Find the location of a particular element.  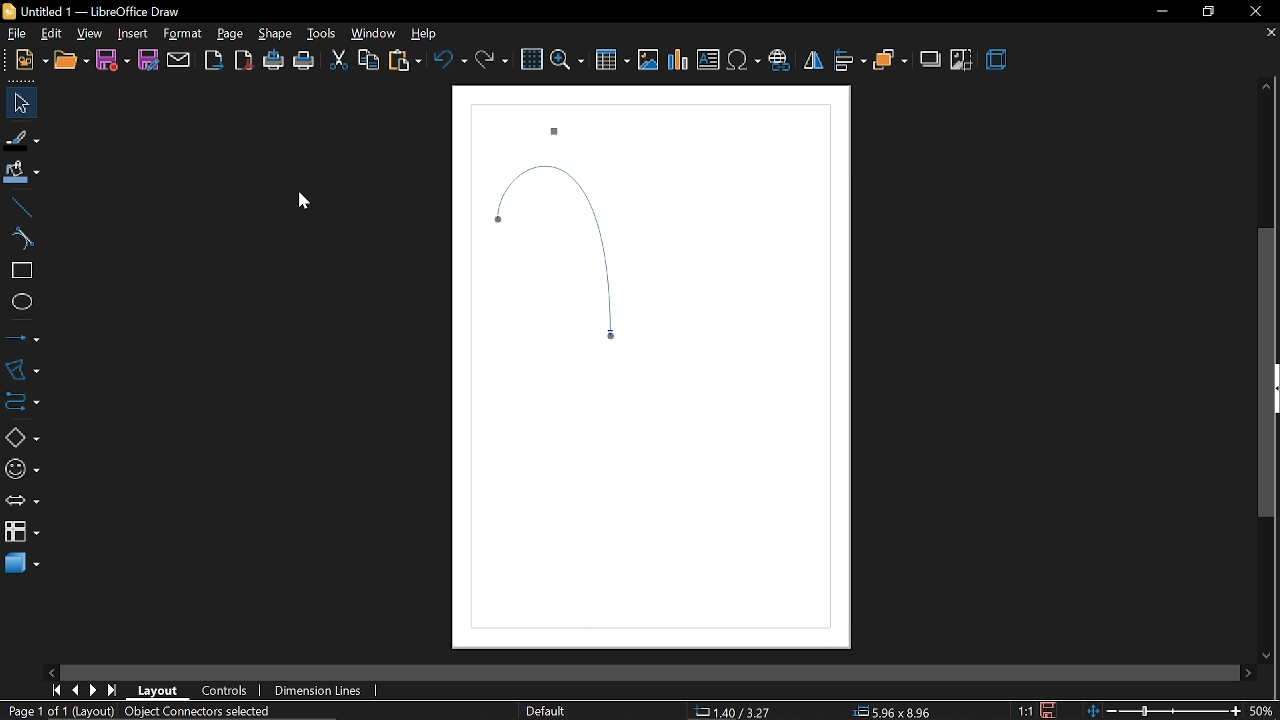

layout is located at coordinates (159, 691).